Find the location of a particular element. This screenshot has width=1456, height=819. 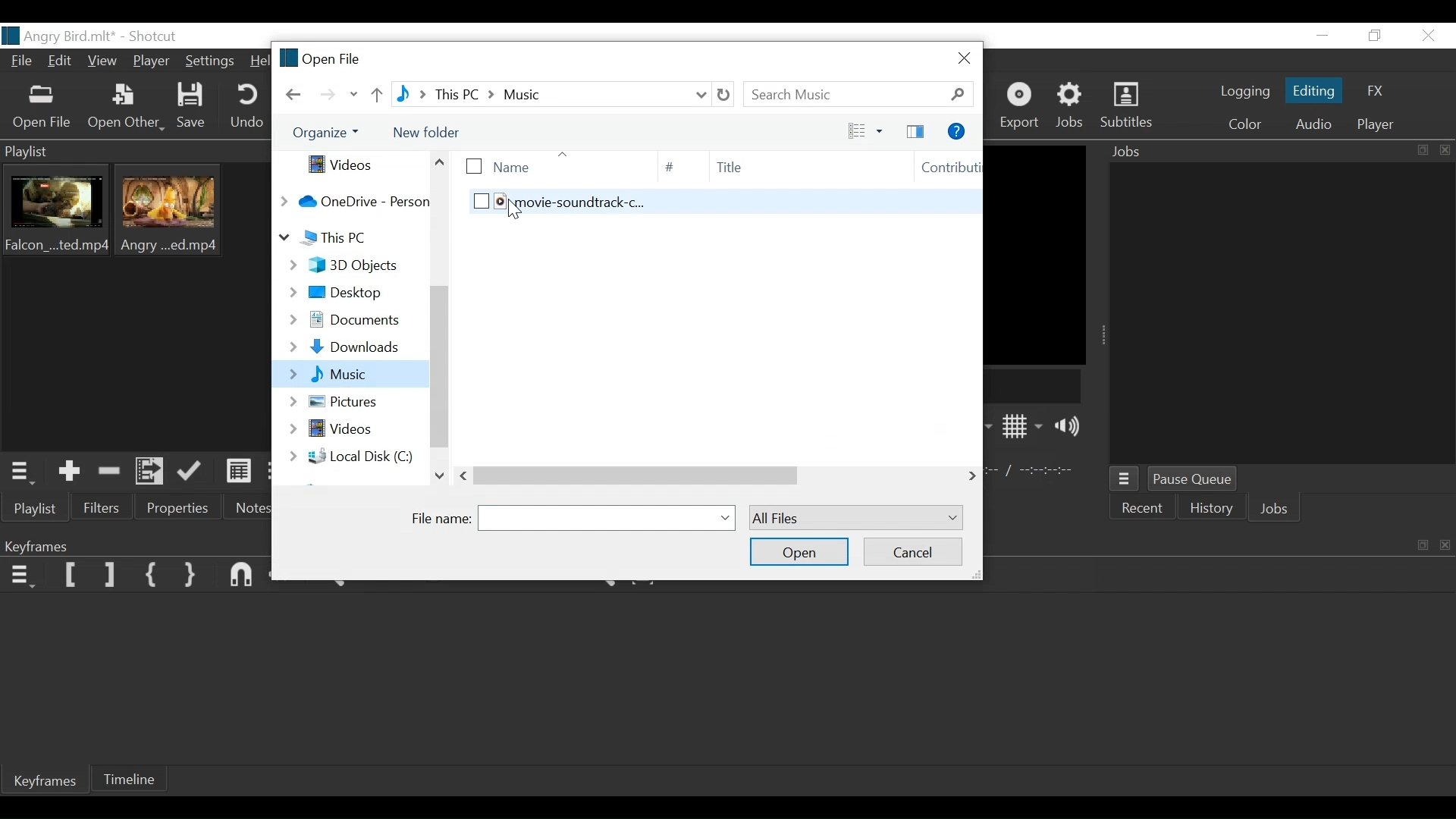

Organize is located at coordinates (326, 133).